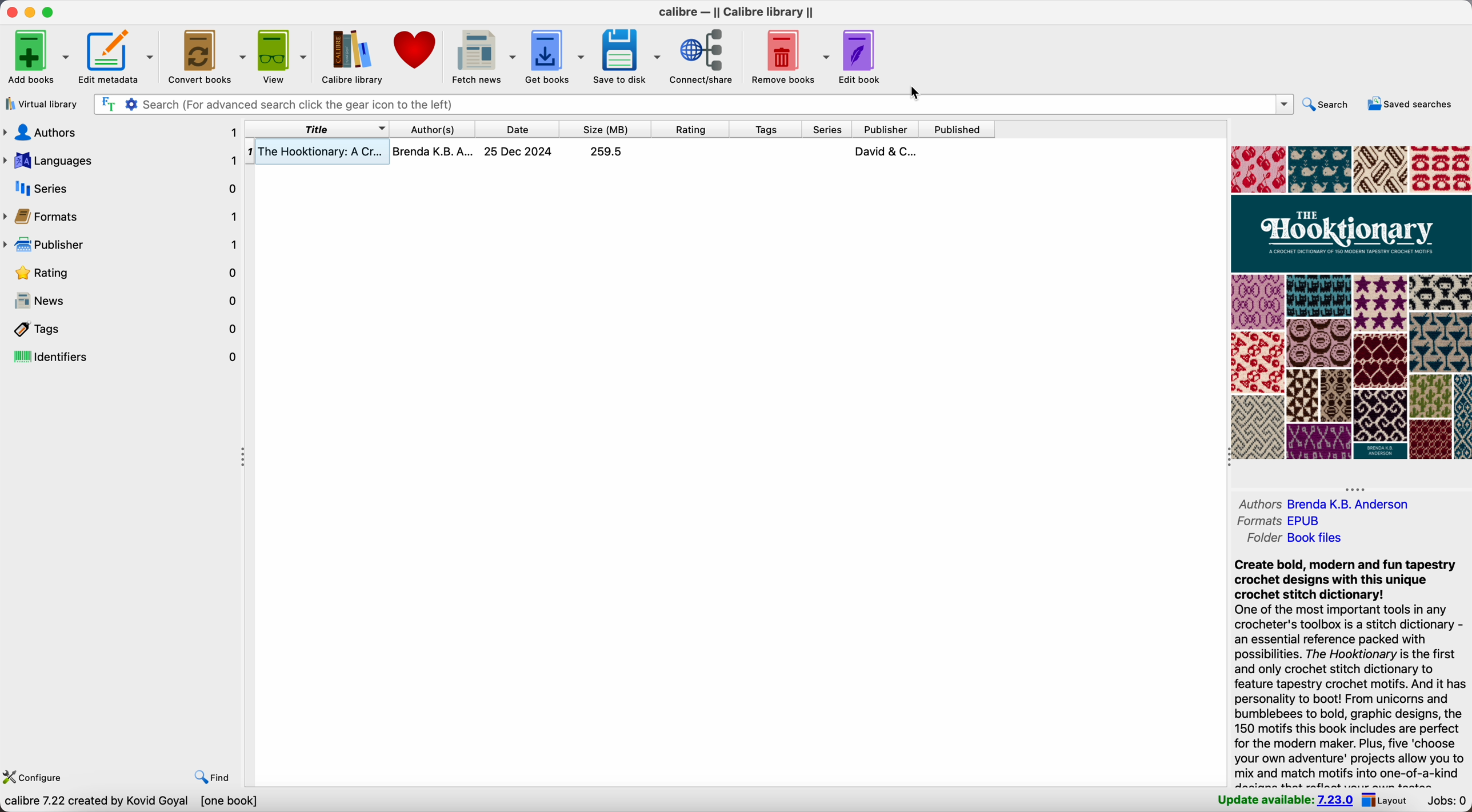  What do you see at coordinates (1327, 503) in the screenshot?
I see `authors` at bounding box center [1327, 503].